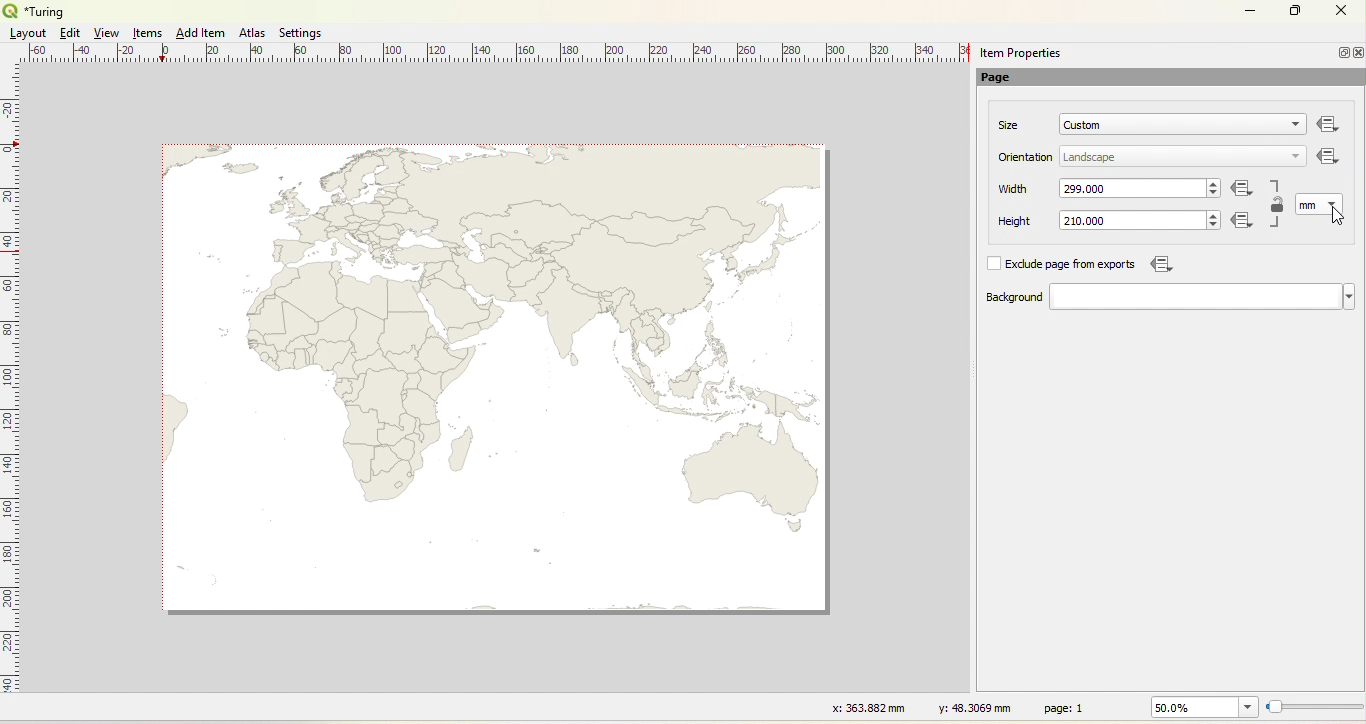  Describe the element at coordinates (1341, 52) in the screenshot. I see `Minimize` at that location.